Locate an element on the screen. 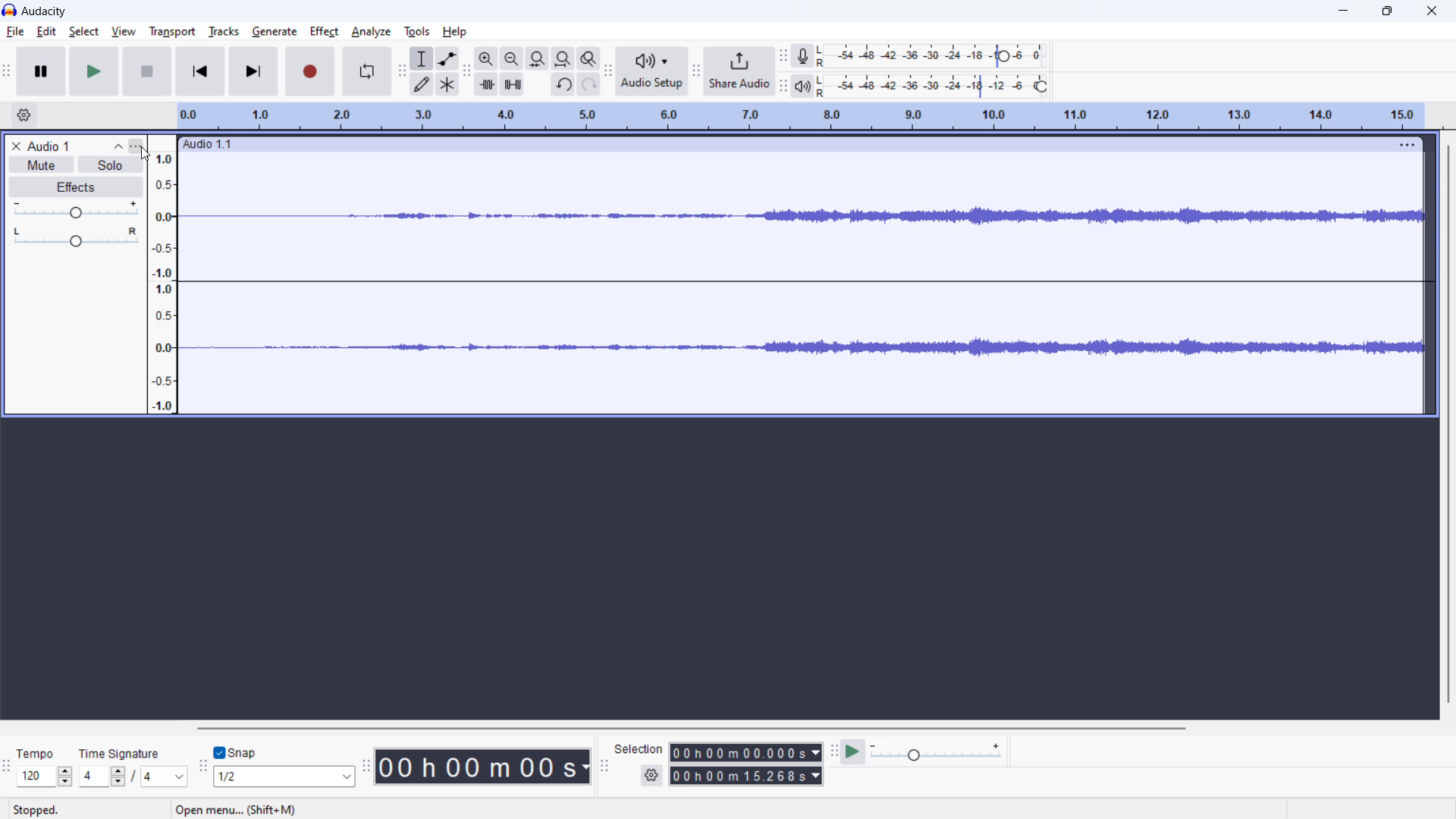 This screenshot has height=819, width=1456. file is located at coordinates (14, 32).